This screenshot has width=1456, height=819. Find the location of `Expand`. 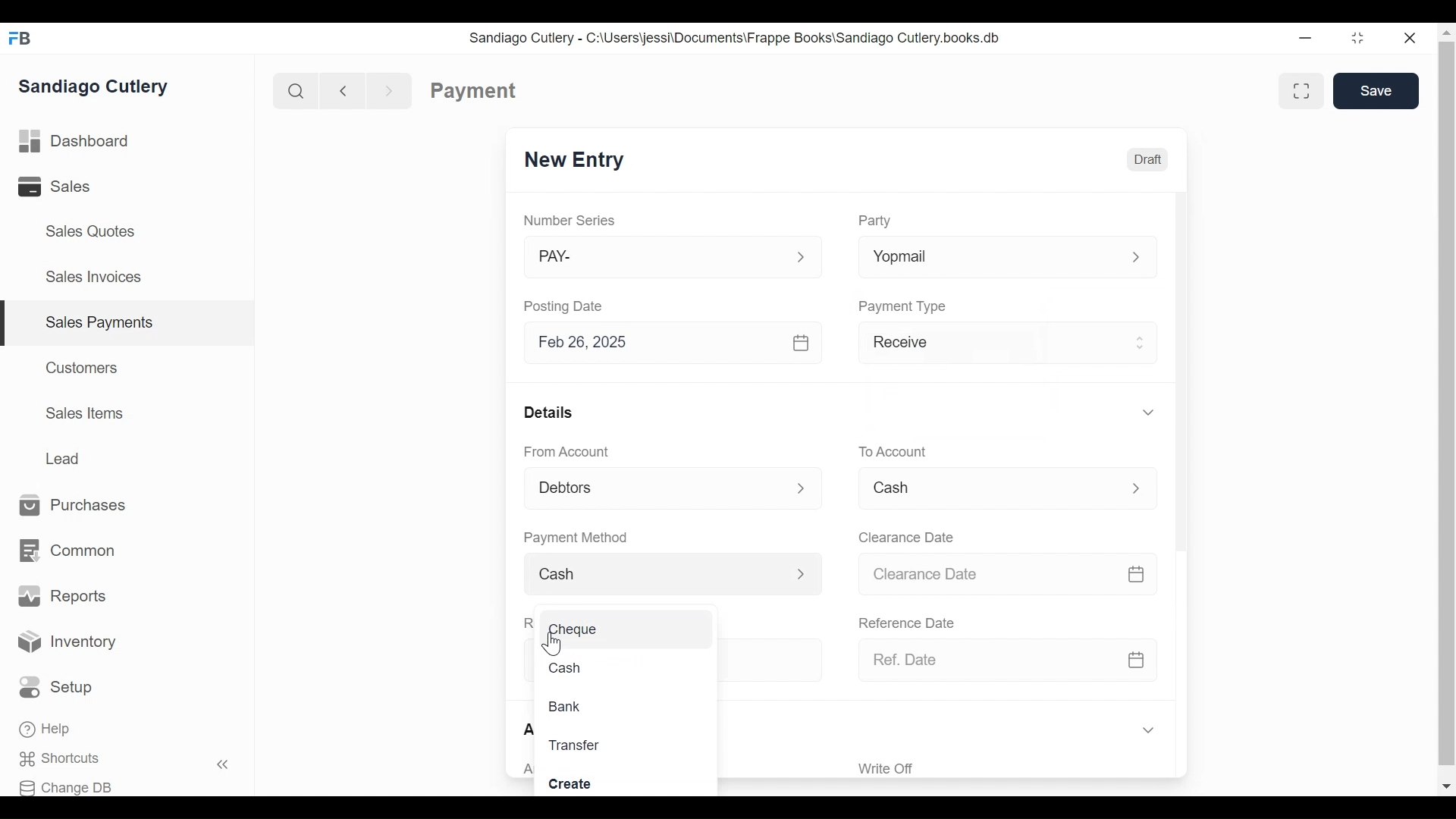

Expand is located at coordinates (803, 488).